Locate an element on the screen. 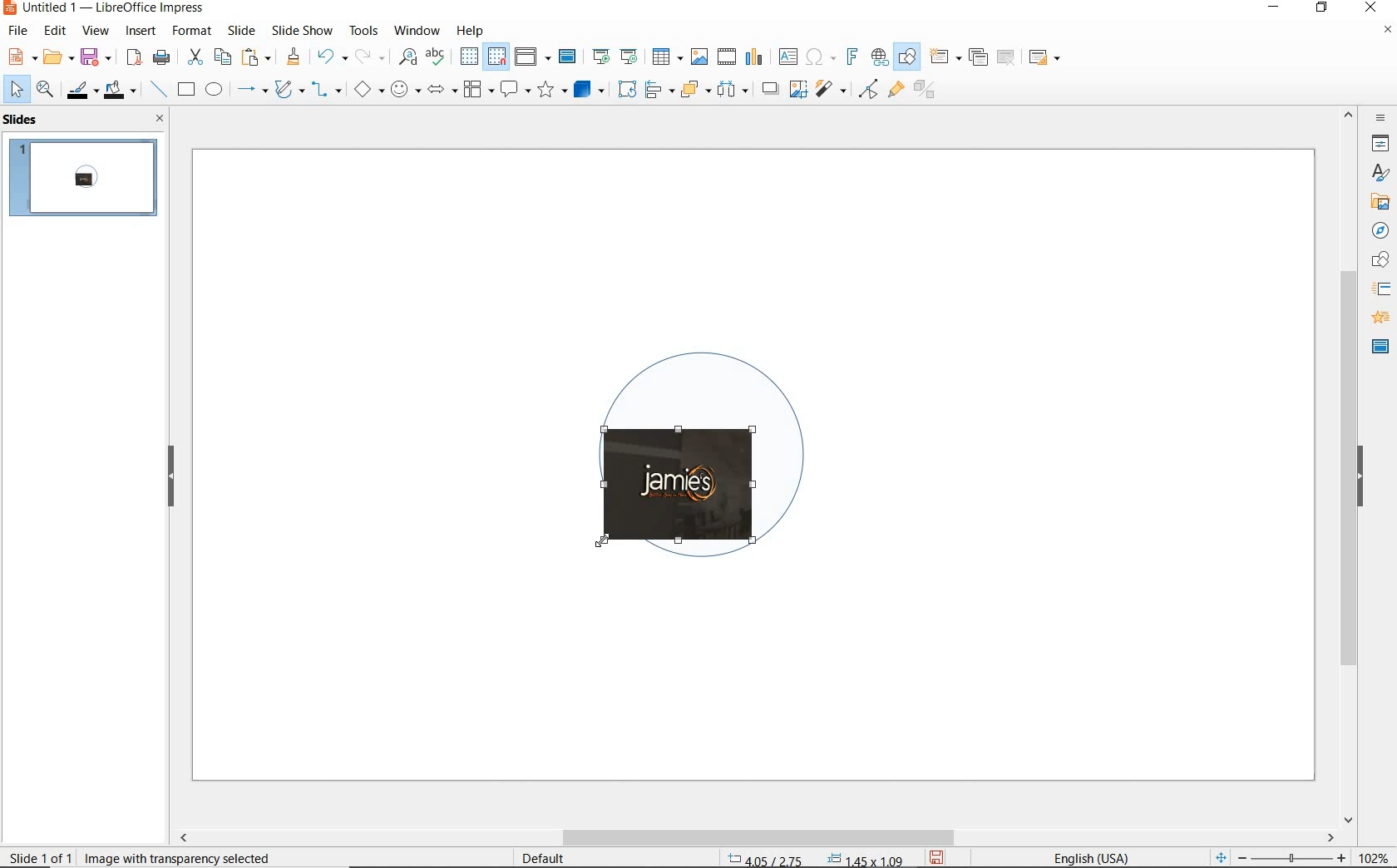 This screenshot has width=1397, height=868. scrollbar is located at coordinates (1349, 465).